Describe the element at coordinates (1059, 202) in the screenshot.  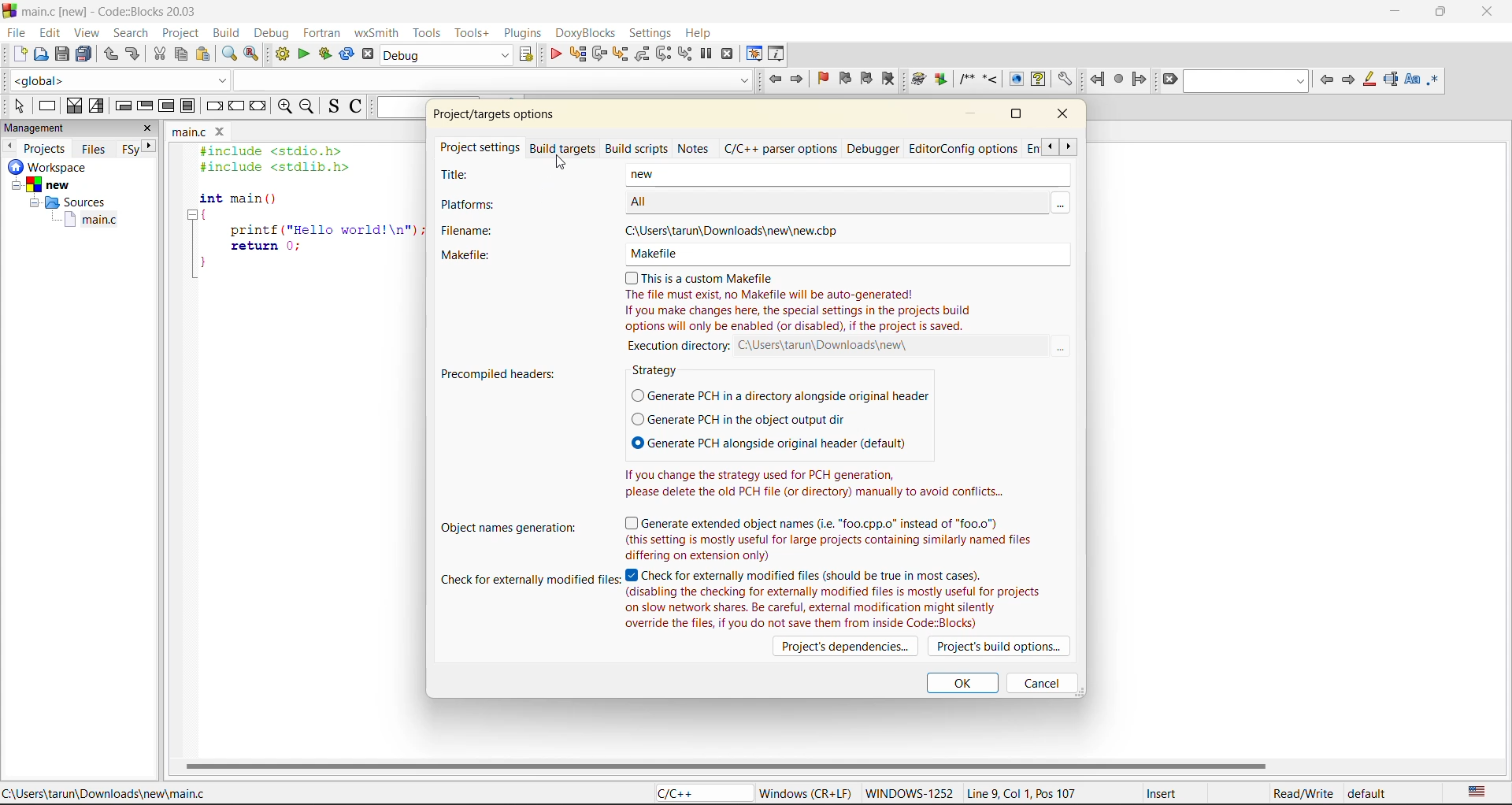
I see `more` at that location.